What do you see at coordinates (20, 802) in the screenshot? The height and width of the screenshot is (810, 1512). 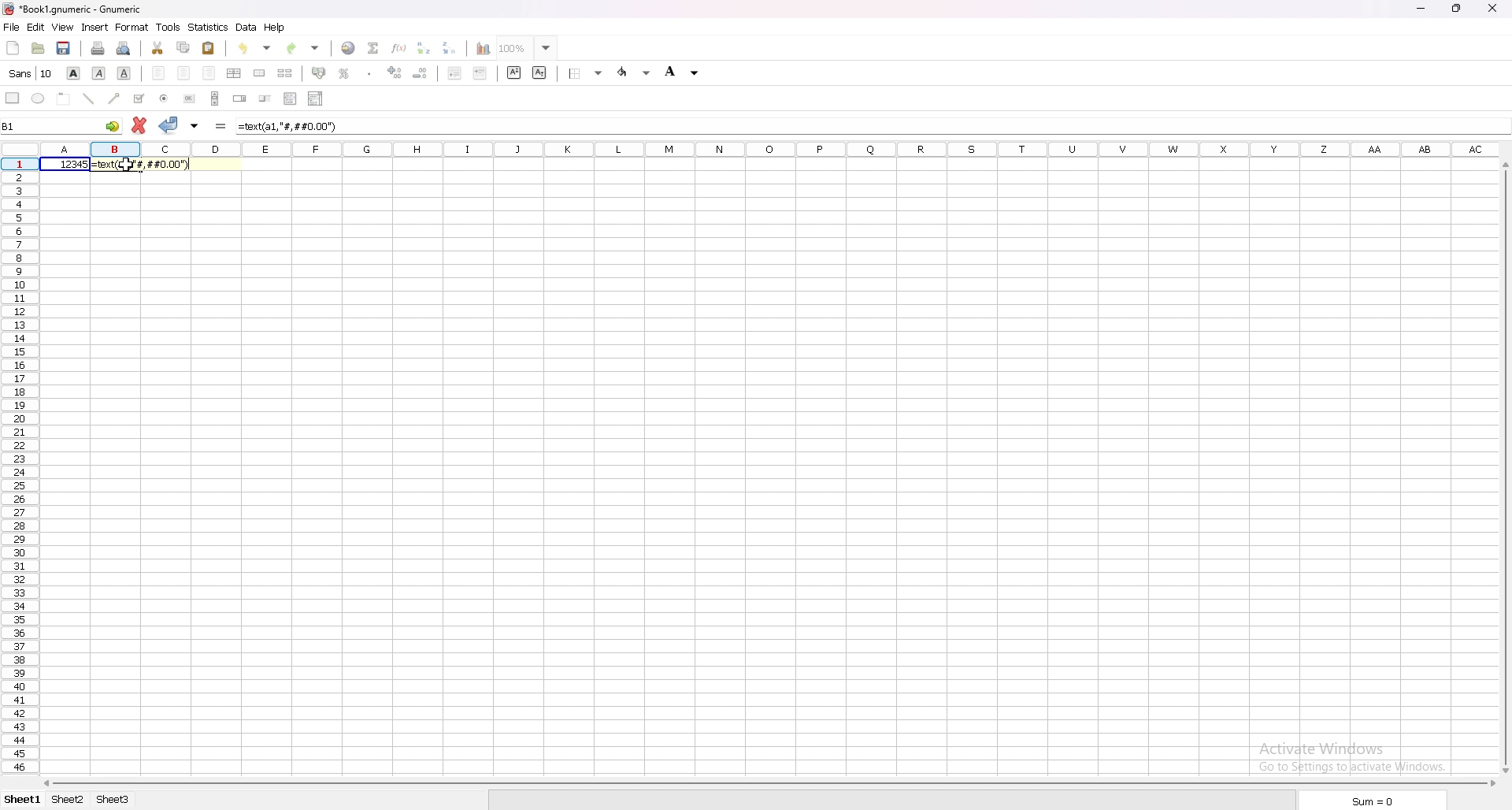 I see `sheet1` at bounding box center [20, 802].